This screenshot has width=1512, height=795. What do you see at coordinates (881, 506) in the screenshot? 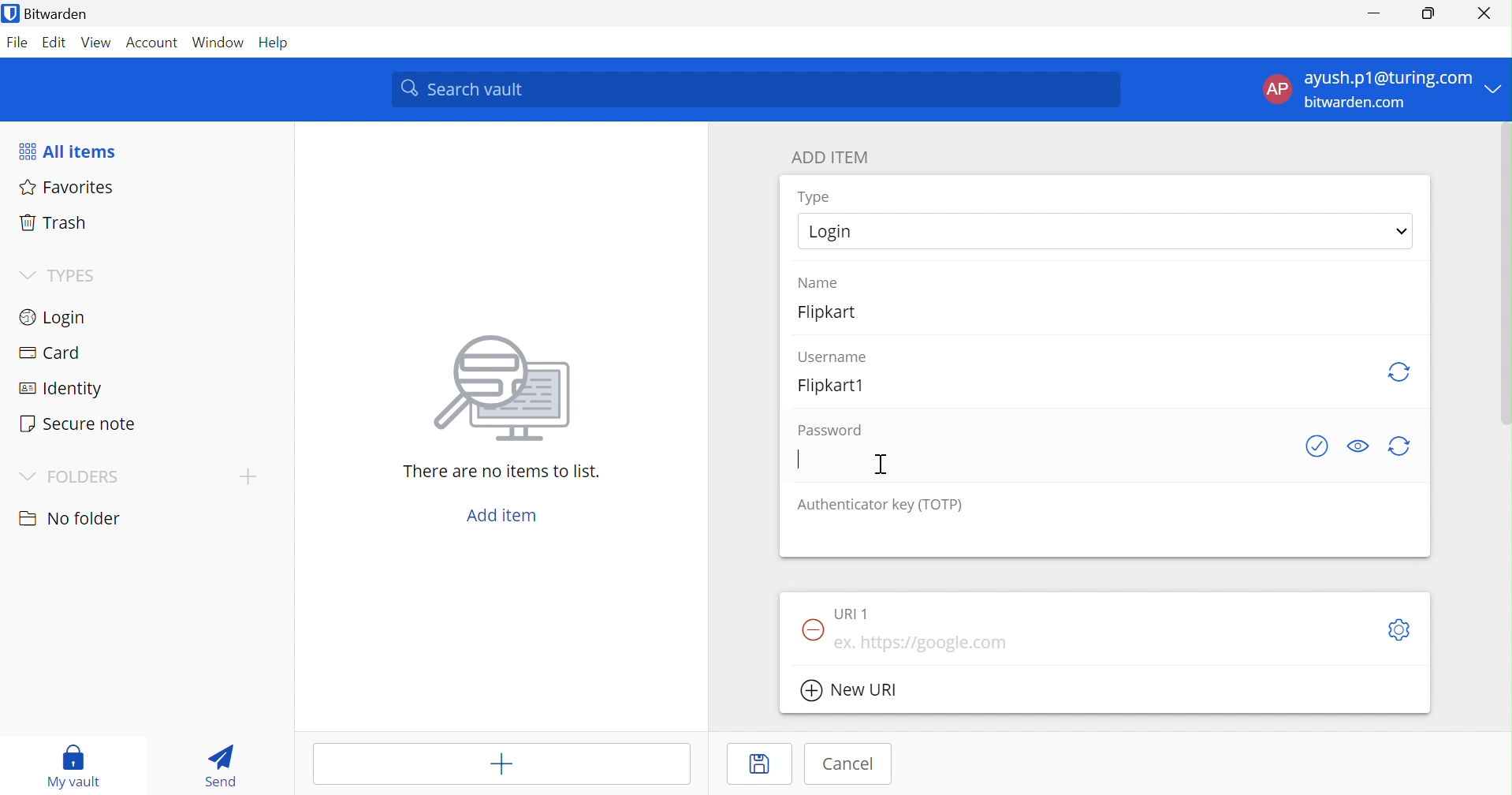
I see `Authenticator key (TOTP)` at bounding box center [881, 506].